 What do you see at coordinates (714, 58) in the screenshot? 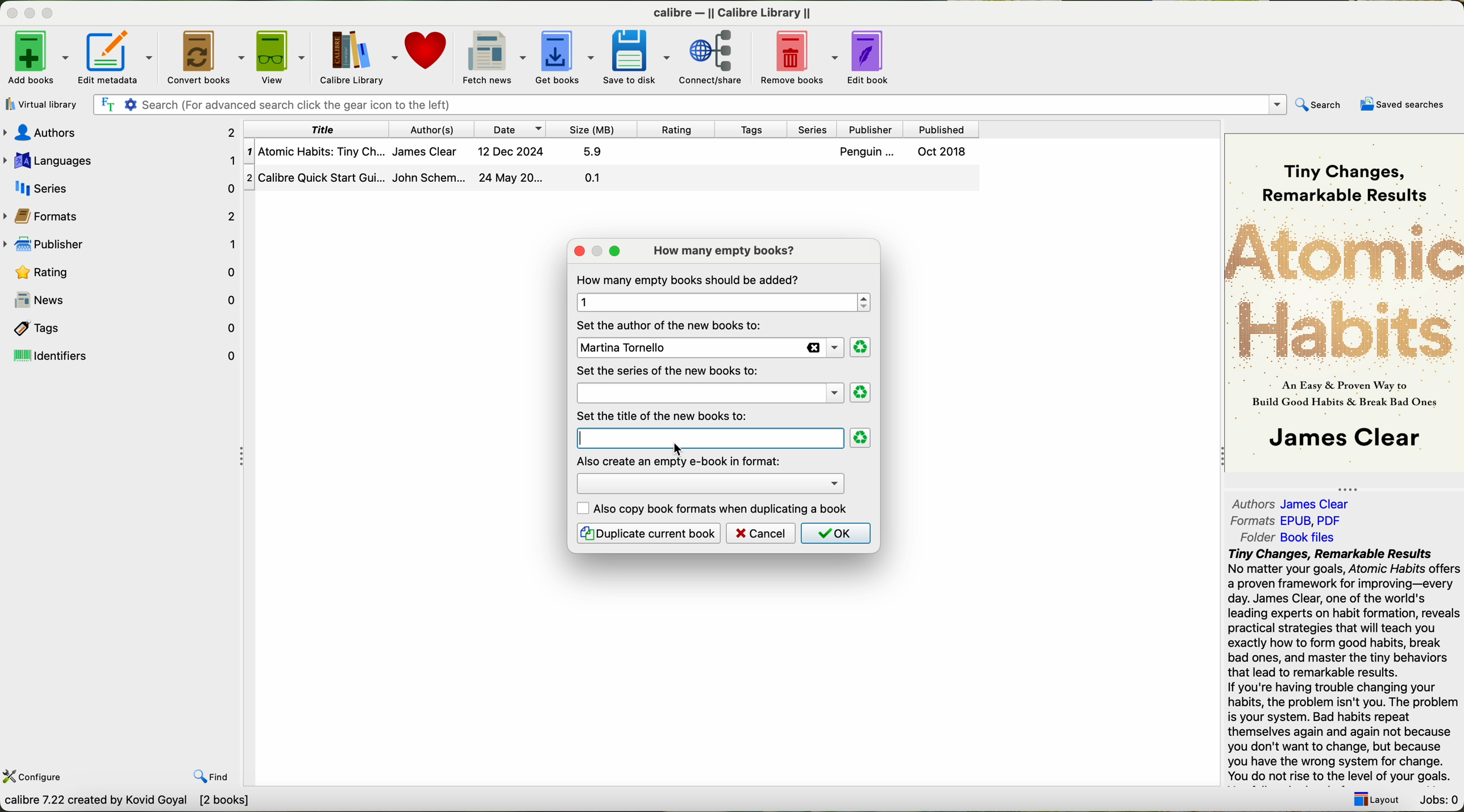
I see `connect/share` at bounding box center [714, 58].